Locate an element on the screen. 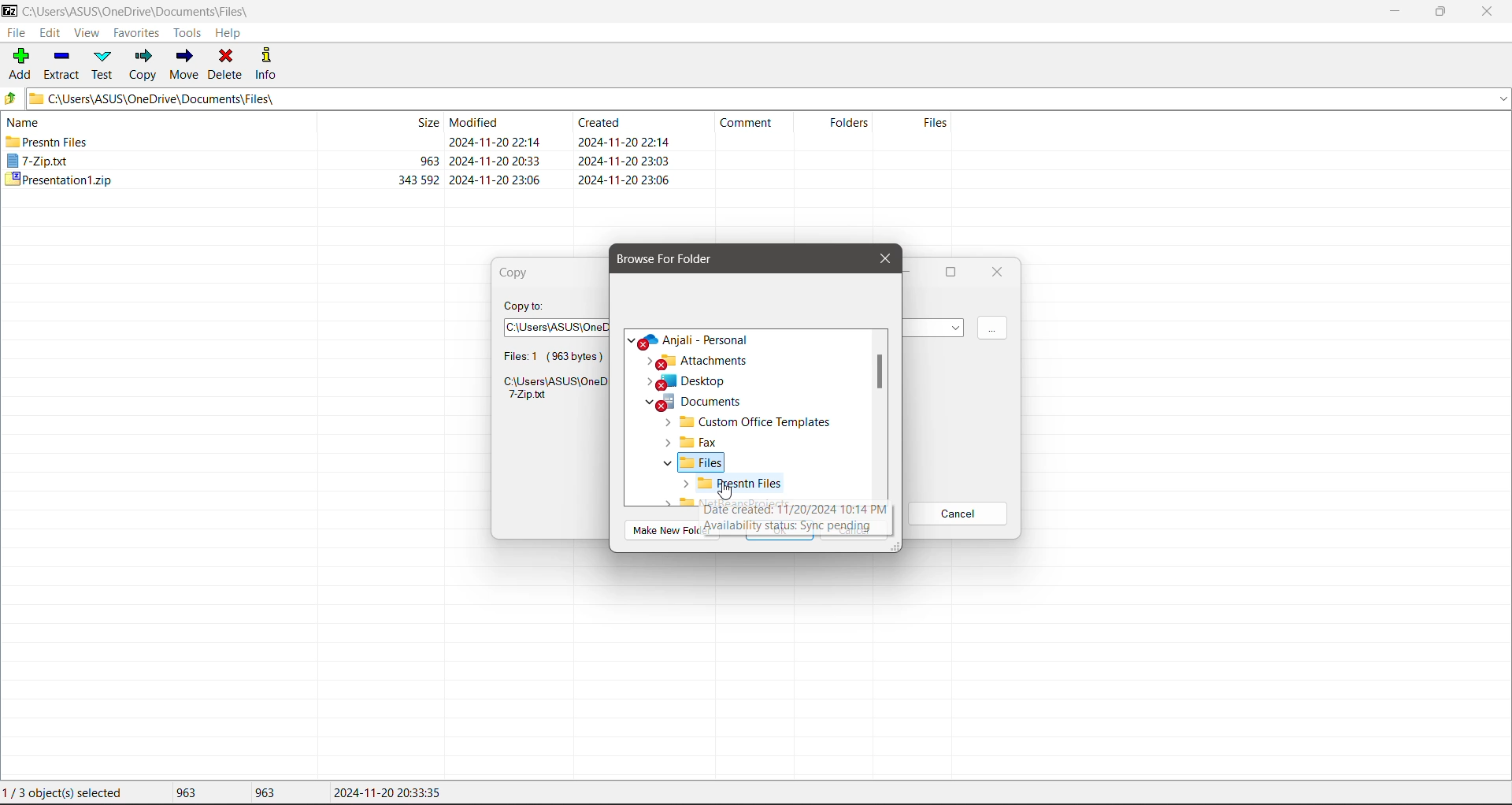 The height and width of the screenshot is (805, 1512).  is located at coordinates (728, 502).